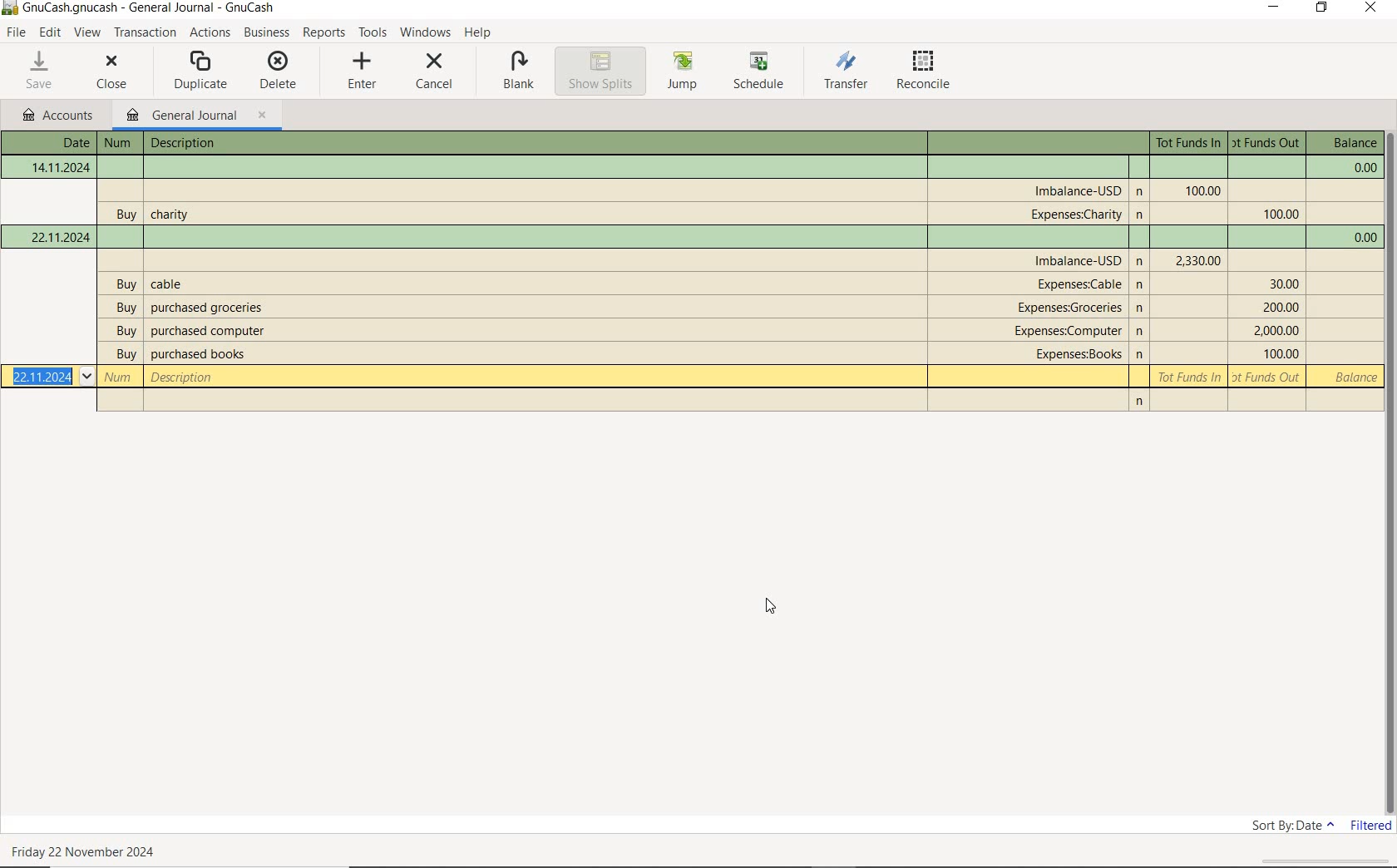 The image size is (1397, 868). What do you see at coordinates (113, 72) in the screenshot?
I see `CLOSE` at bounding box center [113, 72].